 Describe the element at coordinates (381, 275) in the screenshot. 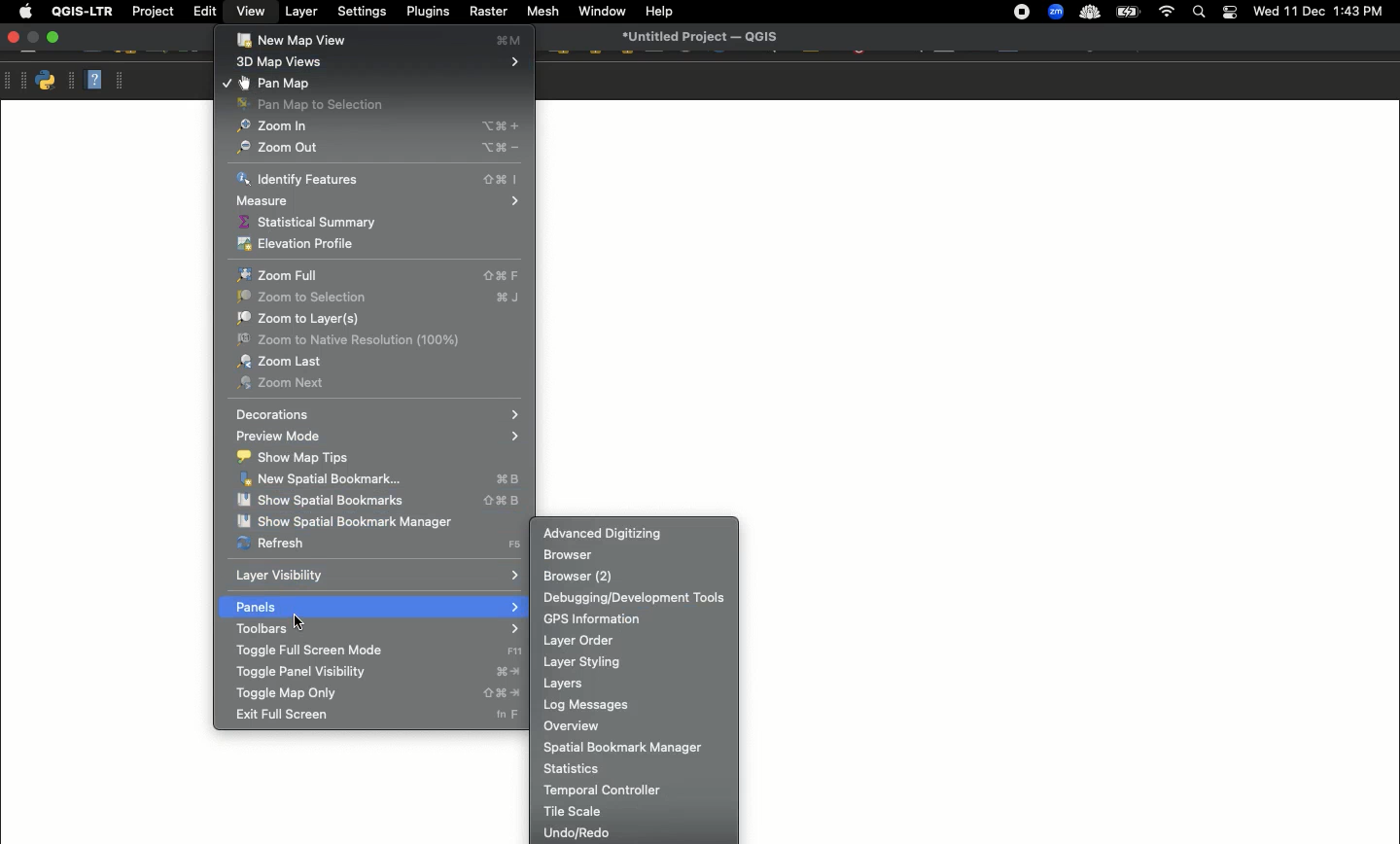

I see `Zoom full` at that location.